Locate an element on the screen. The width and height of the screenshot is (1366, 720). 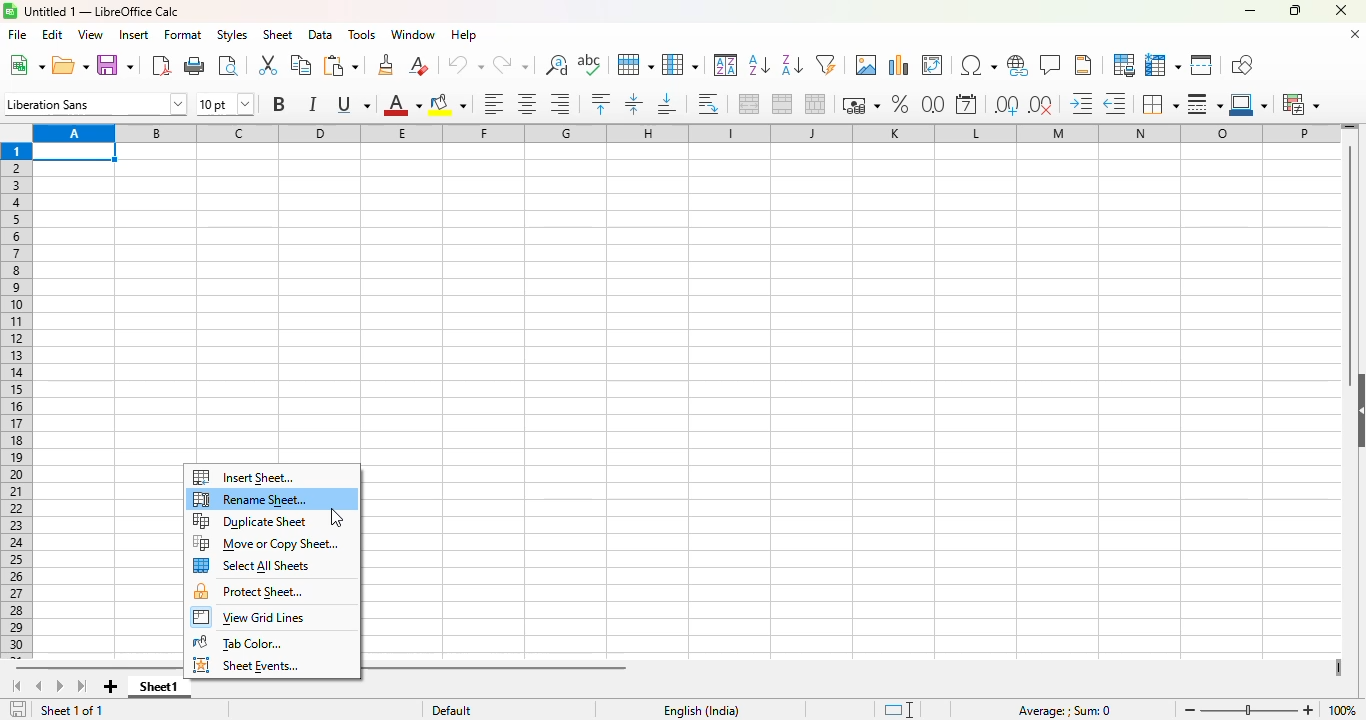
format as percent is located at coordinates (902, 103).